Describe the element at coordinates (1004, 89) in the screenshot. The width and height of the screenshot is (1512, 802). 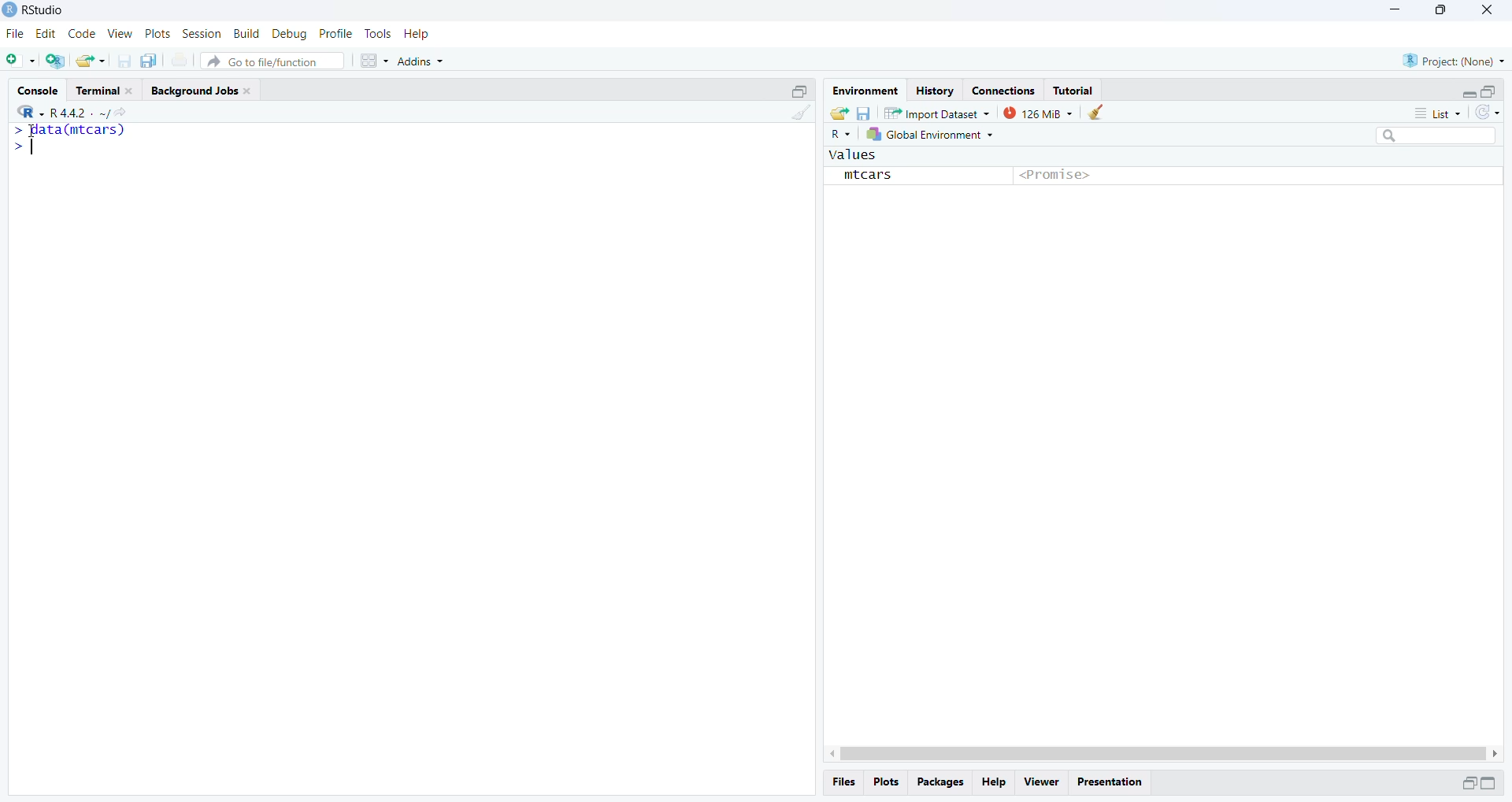
I see `Connections` at that location.